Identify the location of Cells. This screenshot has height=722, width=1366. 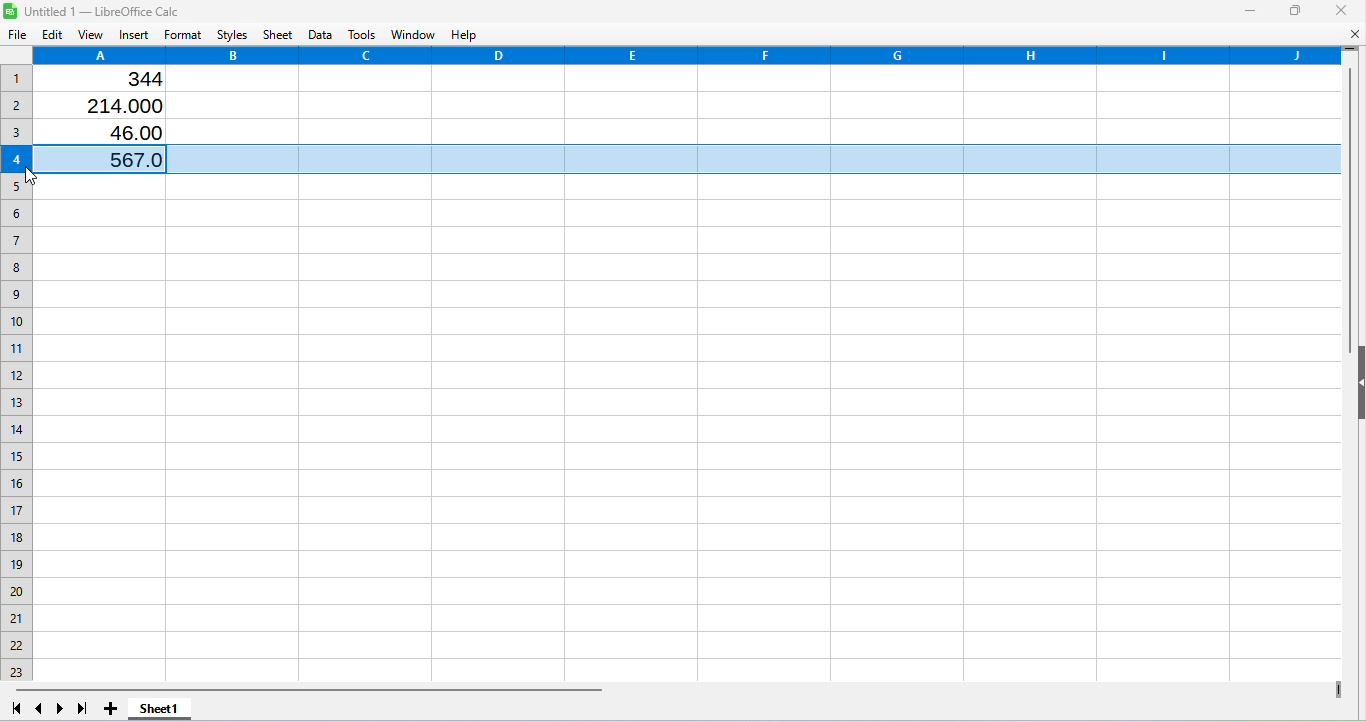
(687, 431).